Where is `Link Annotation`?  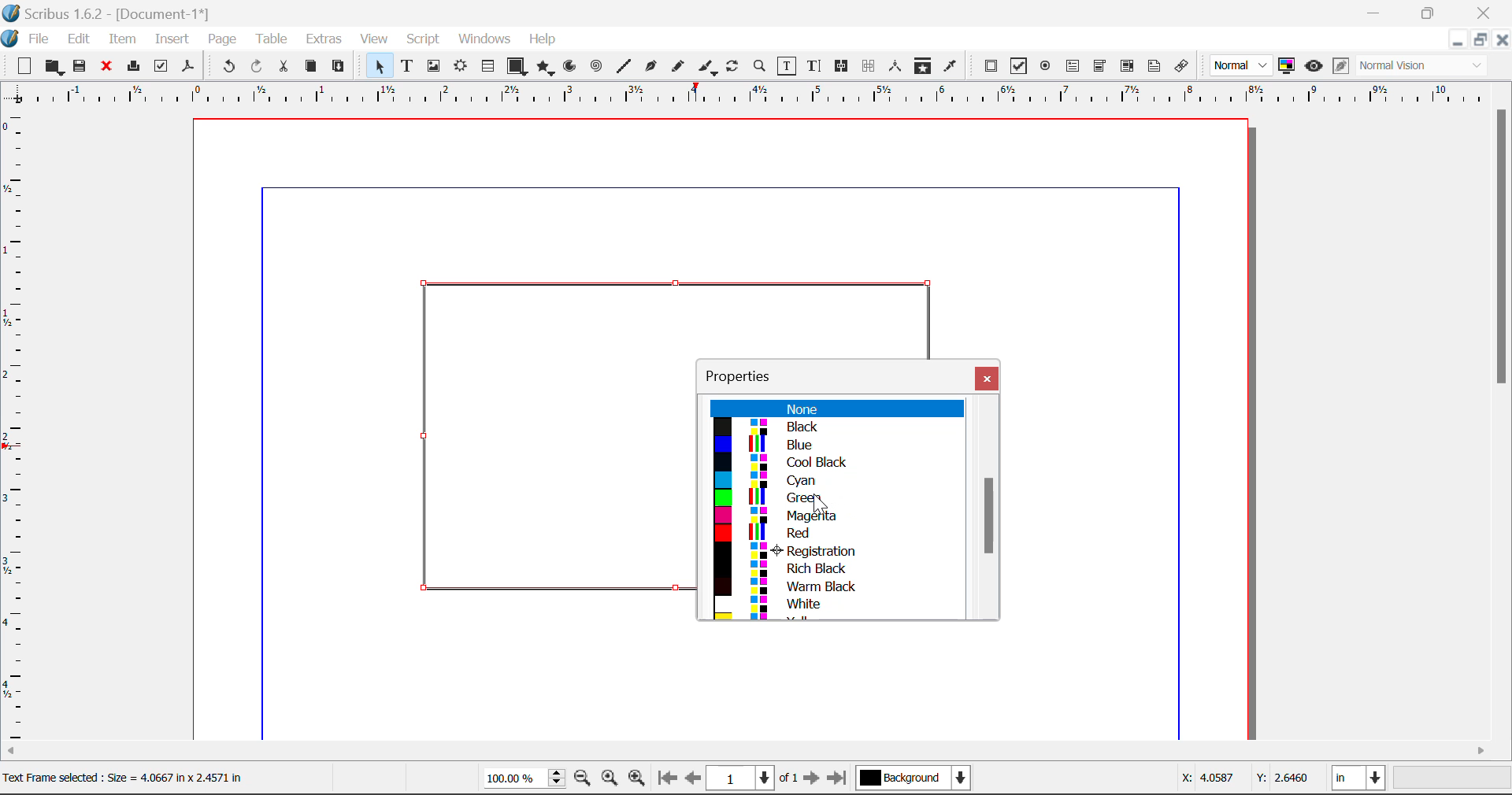 Link Annotation is located at coordinates (1180, 66).